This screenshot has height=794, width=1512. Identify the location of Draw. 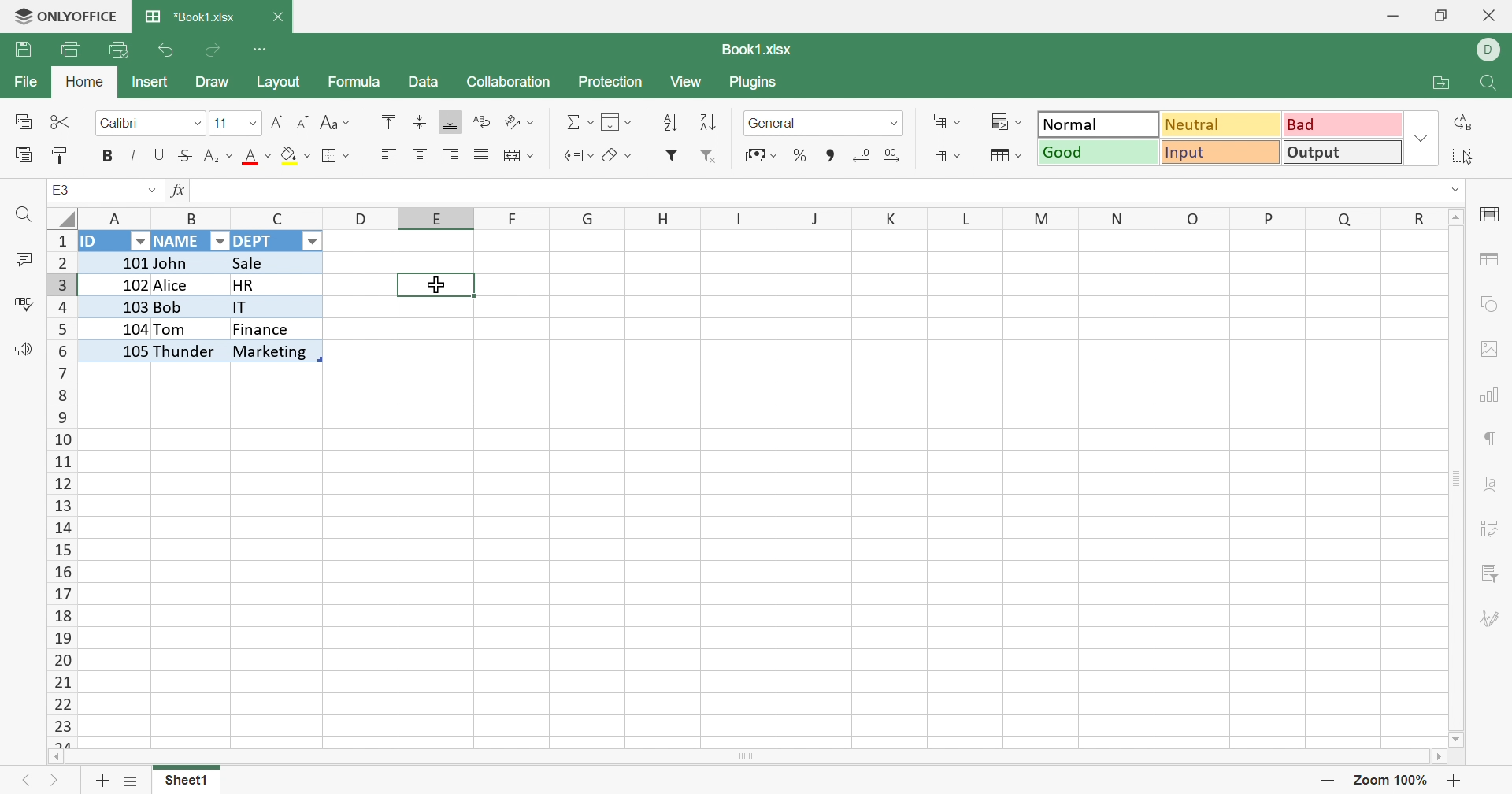
(213, 82).